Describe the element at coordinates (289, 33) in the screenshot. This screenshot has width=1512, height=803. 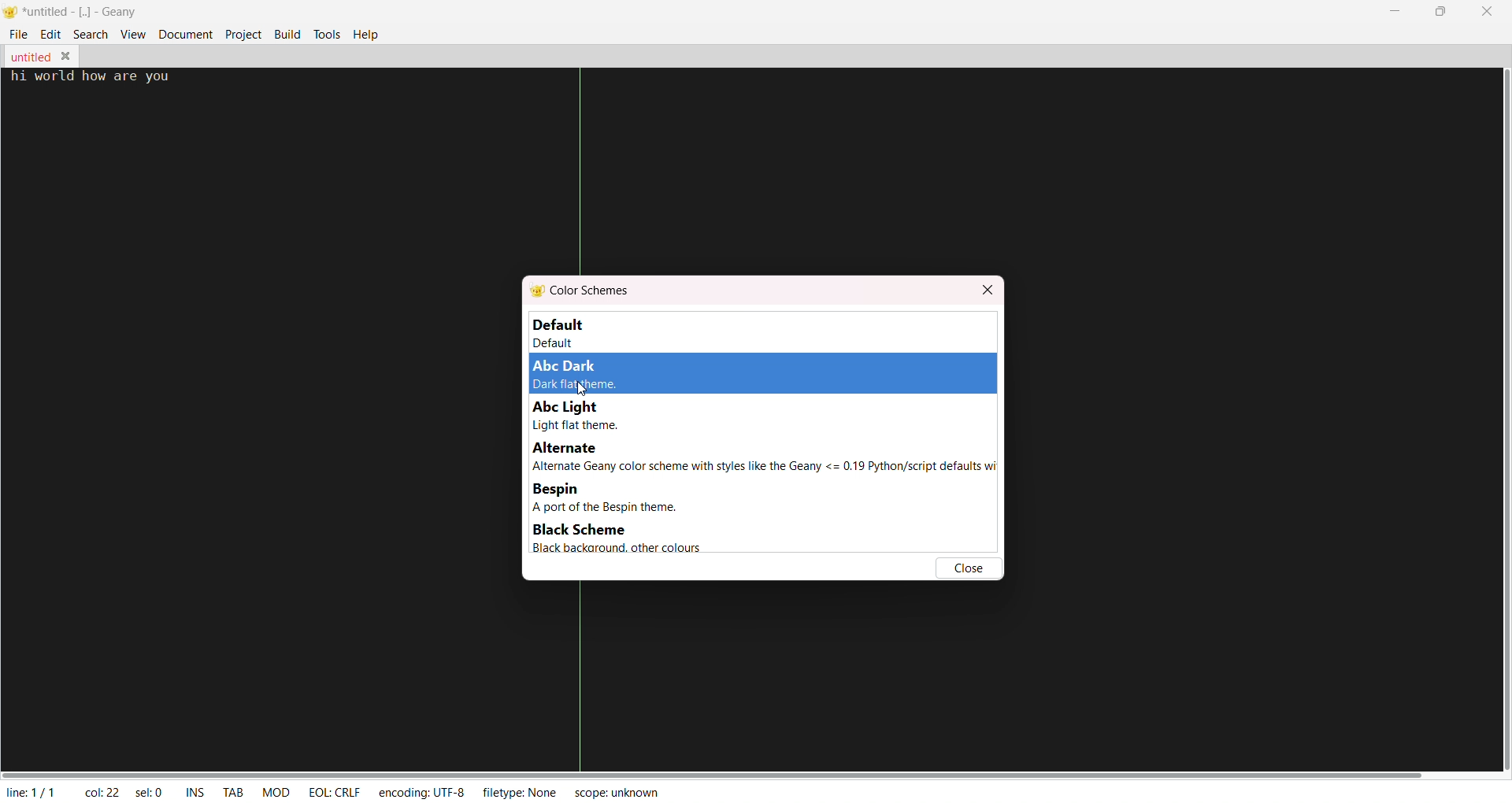
I see `build` at that location.